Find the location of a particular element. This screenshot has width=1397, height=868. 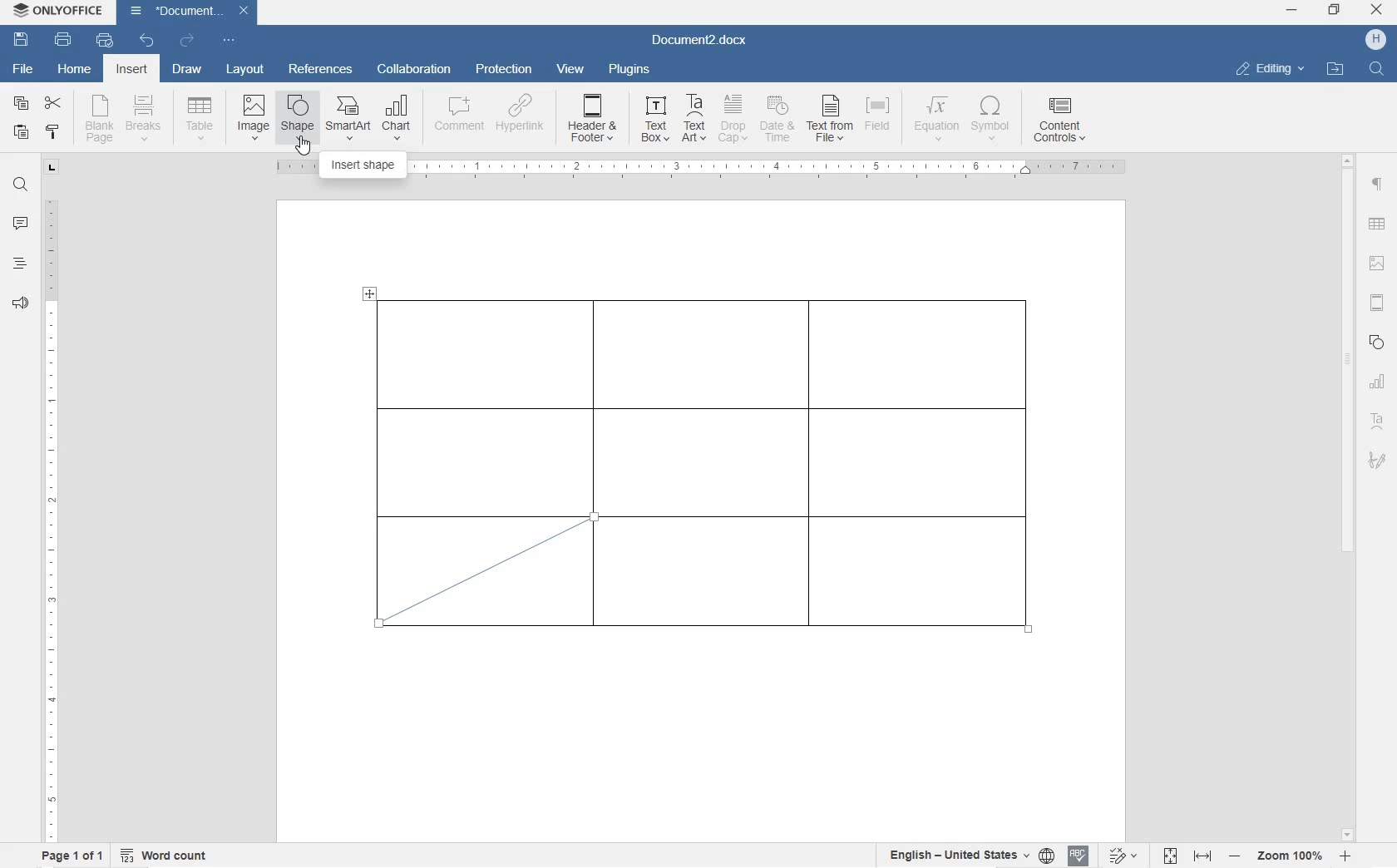

file is located at coordinates (26, 71).